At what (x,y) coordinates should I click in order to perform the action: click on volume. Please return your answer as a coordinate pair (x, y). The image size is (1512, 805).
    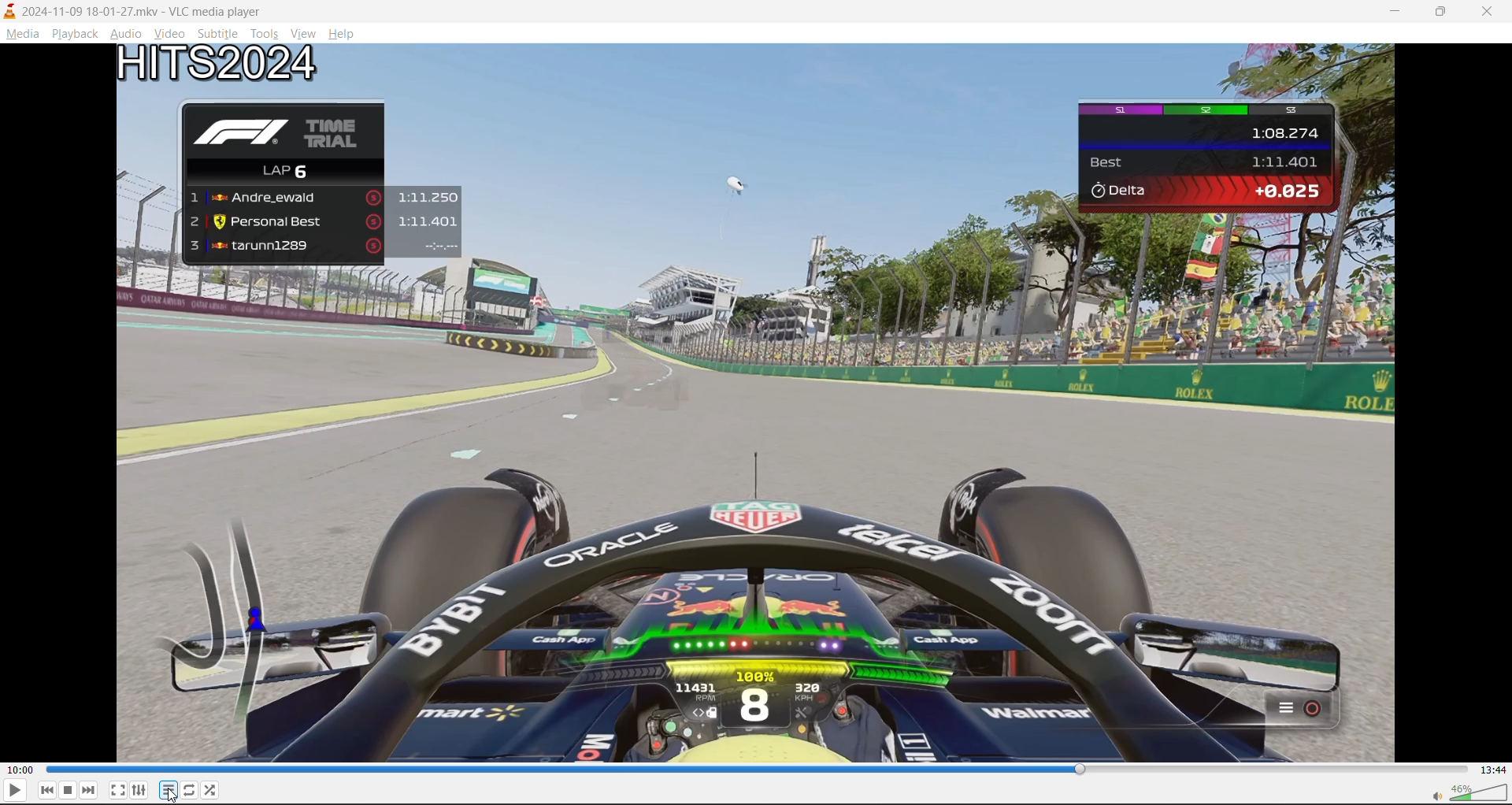
    Looking at the image, I should click on (1473, 792).